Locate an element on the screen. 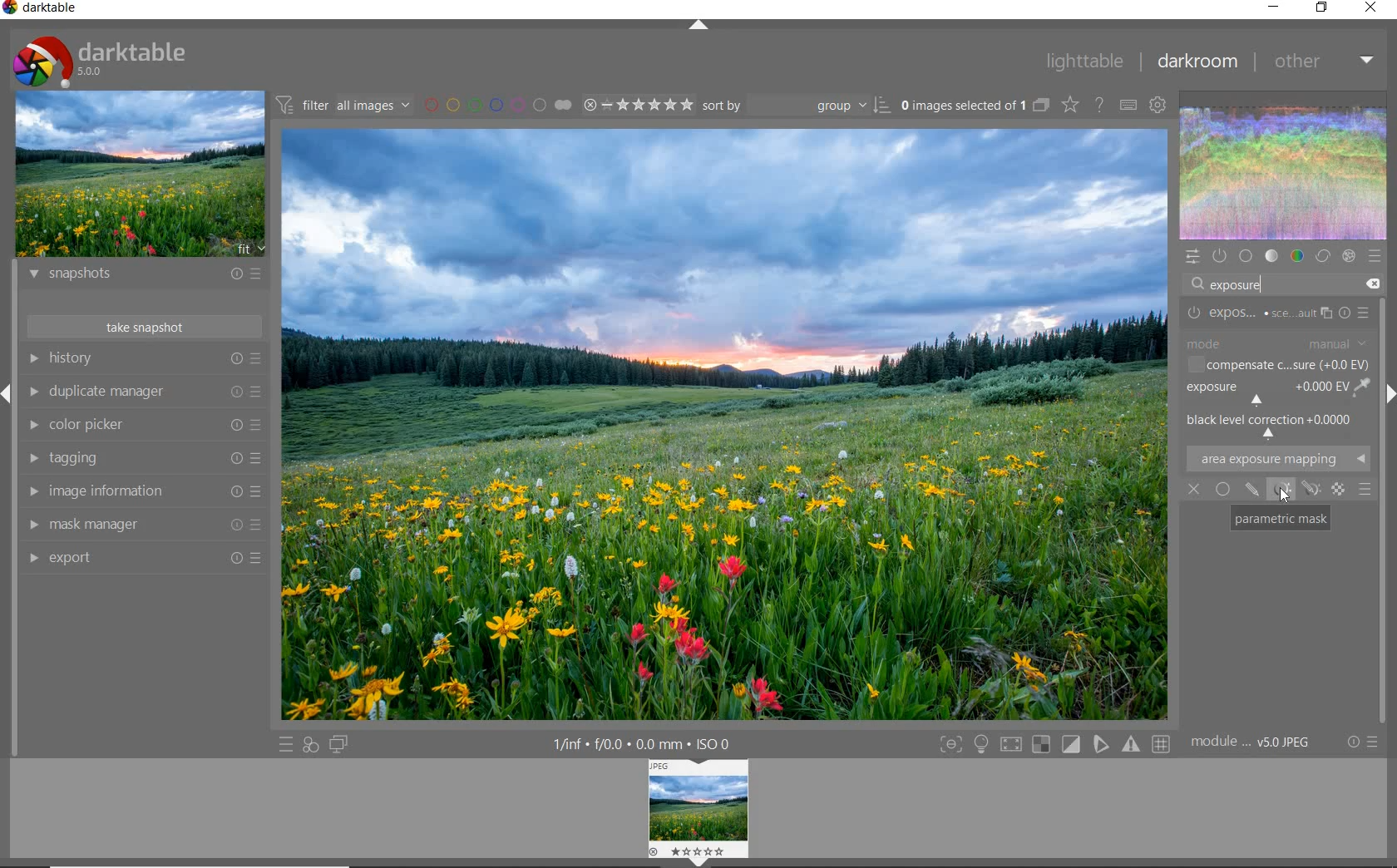 This screenshot has height=868, width=1397. waveform is located at coordinates (1284, 172).